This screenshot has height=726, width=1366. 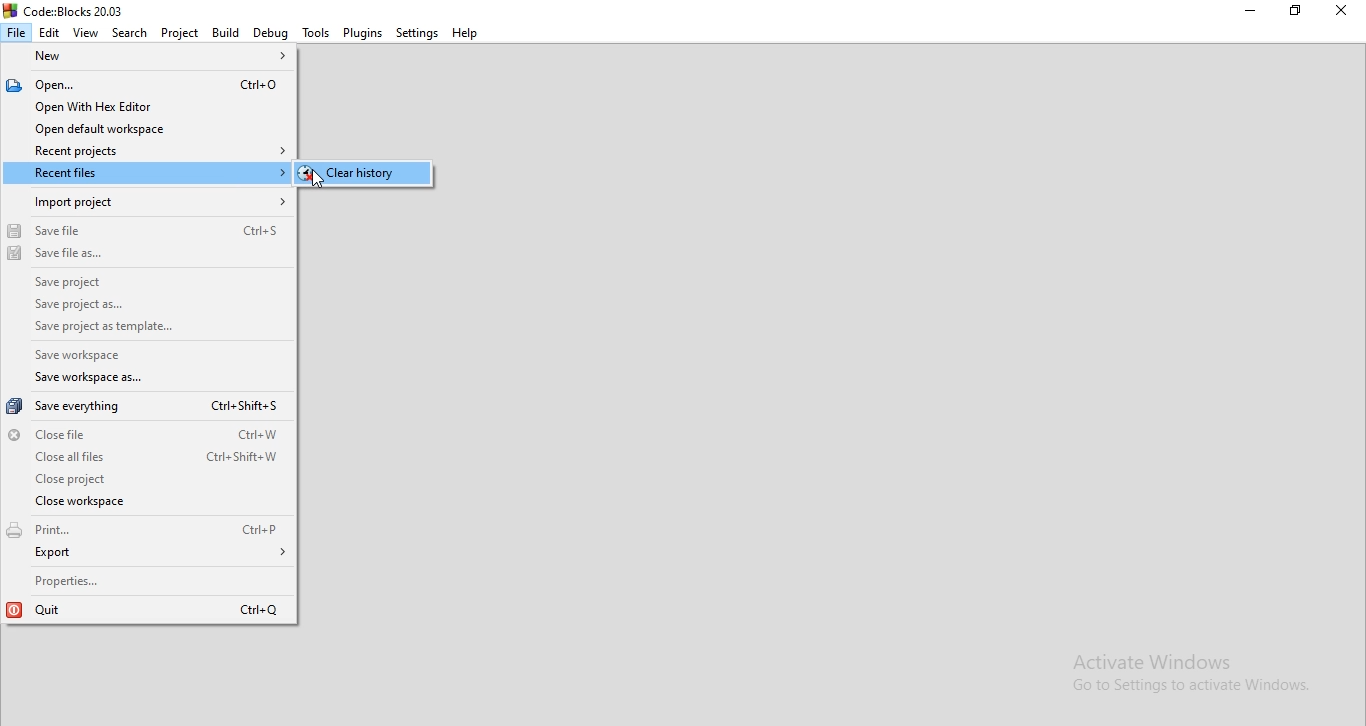 What do you see at coordinates (1295, 11) in the screenshot?
I see `Restore` at bounding box center [1295, 11].